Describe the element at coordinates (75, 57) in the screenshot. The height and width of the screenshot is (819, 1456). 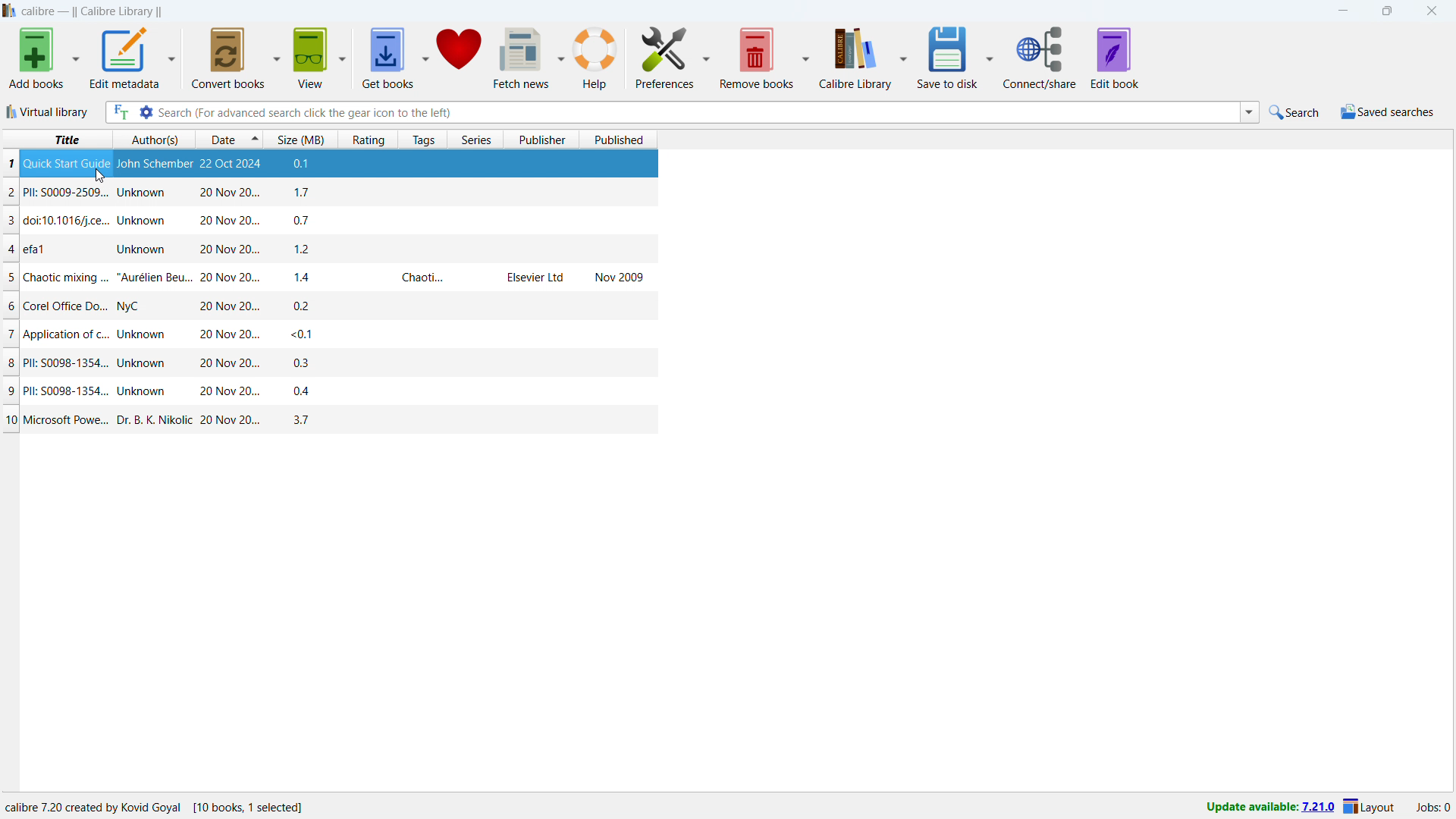
I see `add books options` at that location.